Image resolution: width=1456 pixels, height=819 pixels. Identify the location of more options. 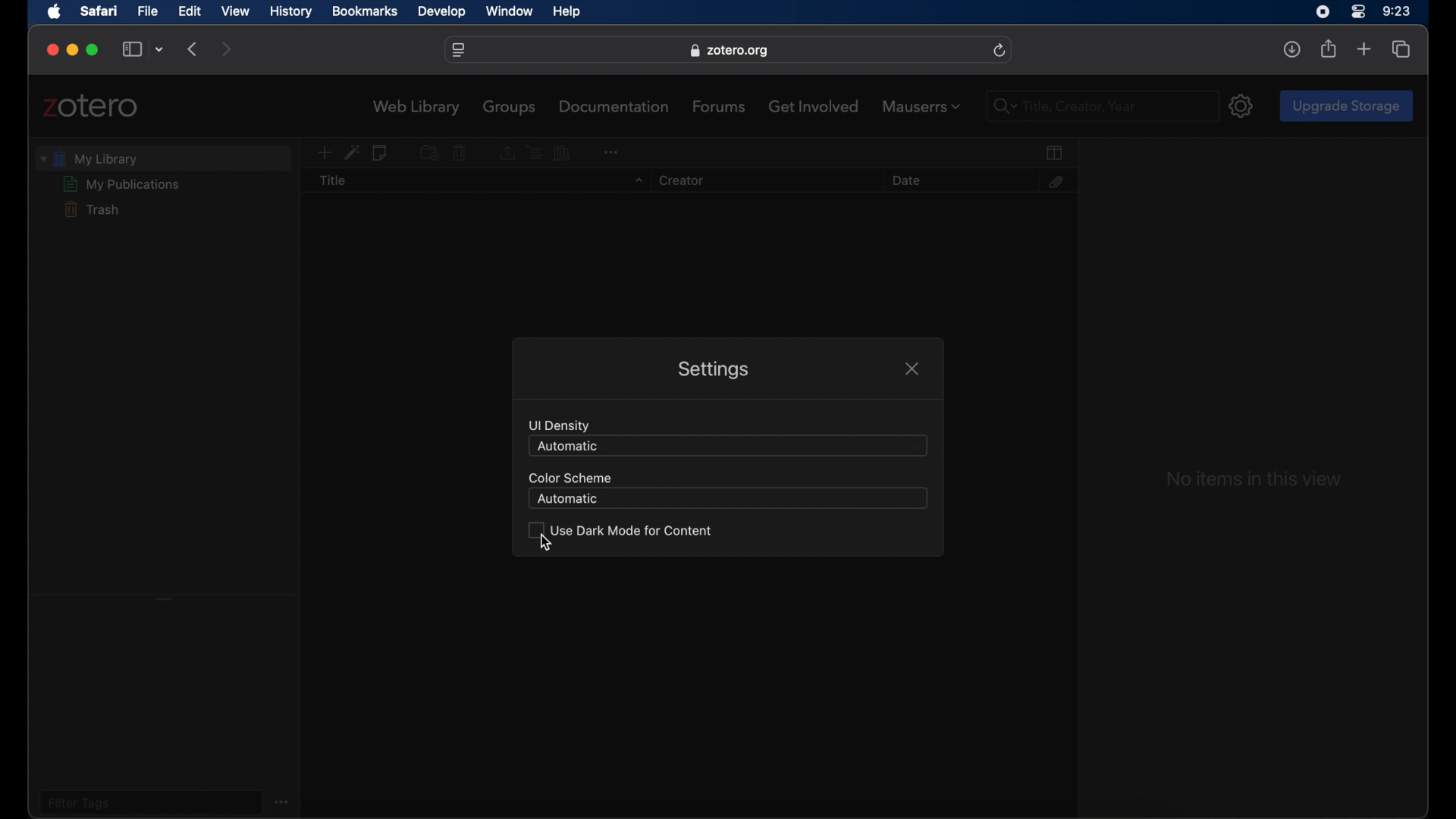
(610, 150).